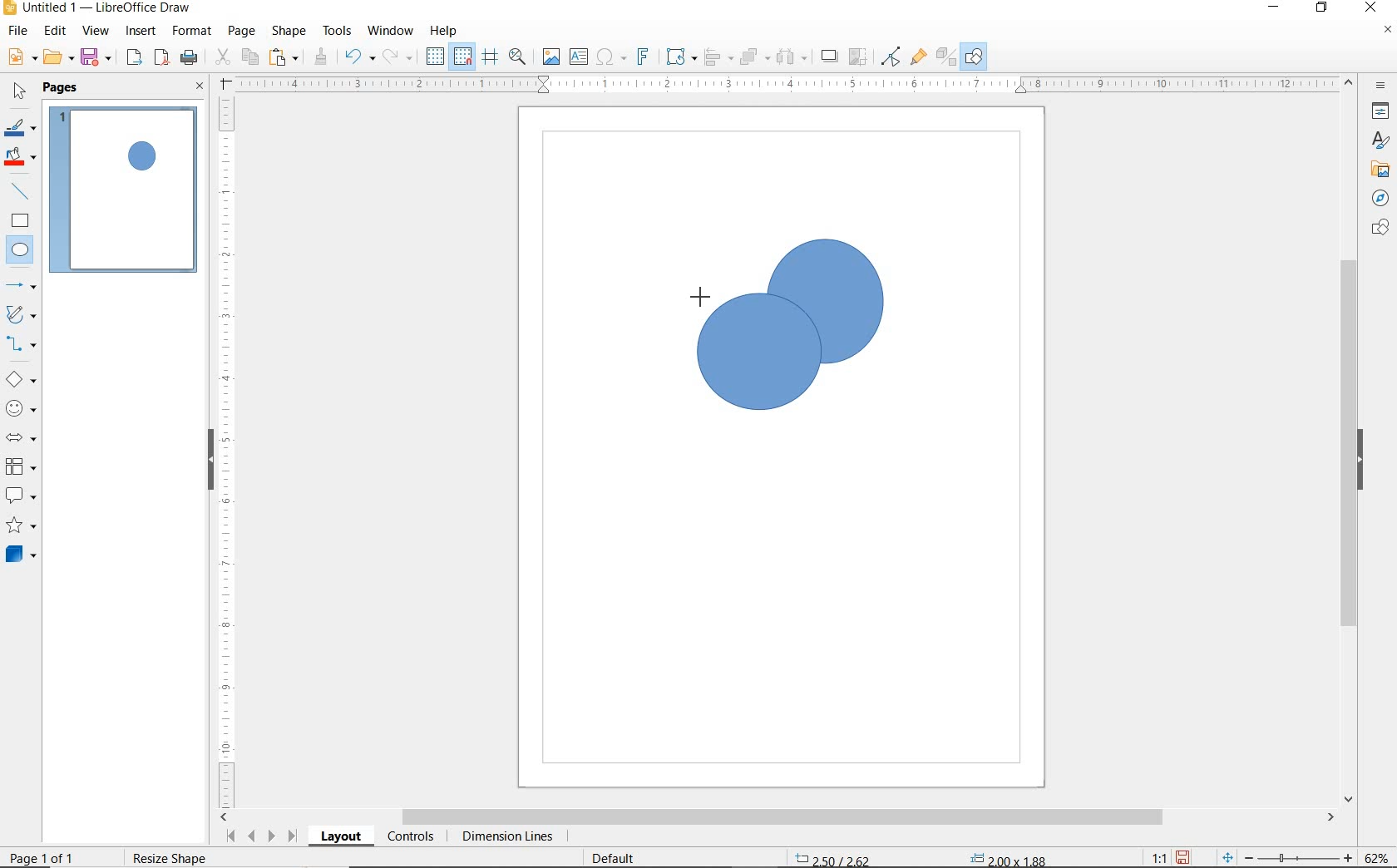 Image resolution: width=1397 pixels, height=868 pixels. What do you see at coordinates (792, 56) in the screenshot?
I see `SELECT AT LEAST 3 OBJECTS TO DISTRIBUTE` at bounding box center [792, 56].